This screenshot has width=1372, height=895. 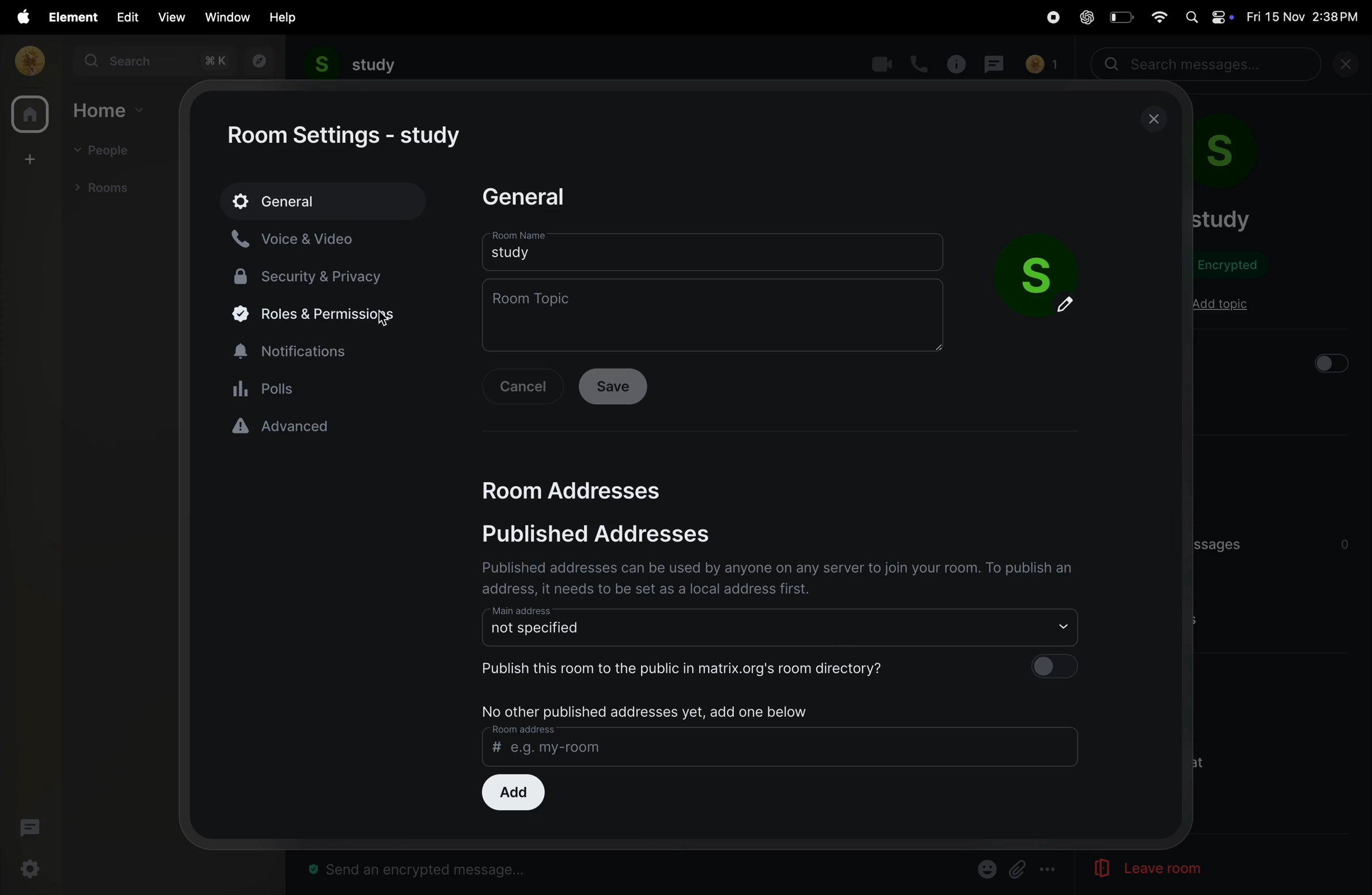 I want to click on save box, so click(x=1044, y=274).